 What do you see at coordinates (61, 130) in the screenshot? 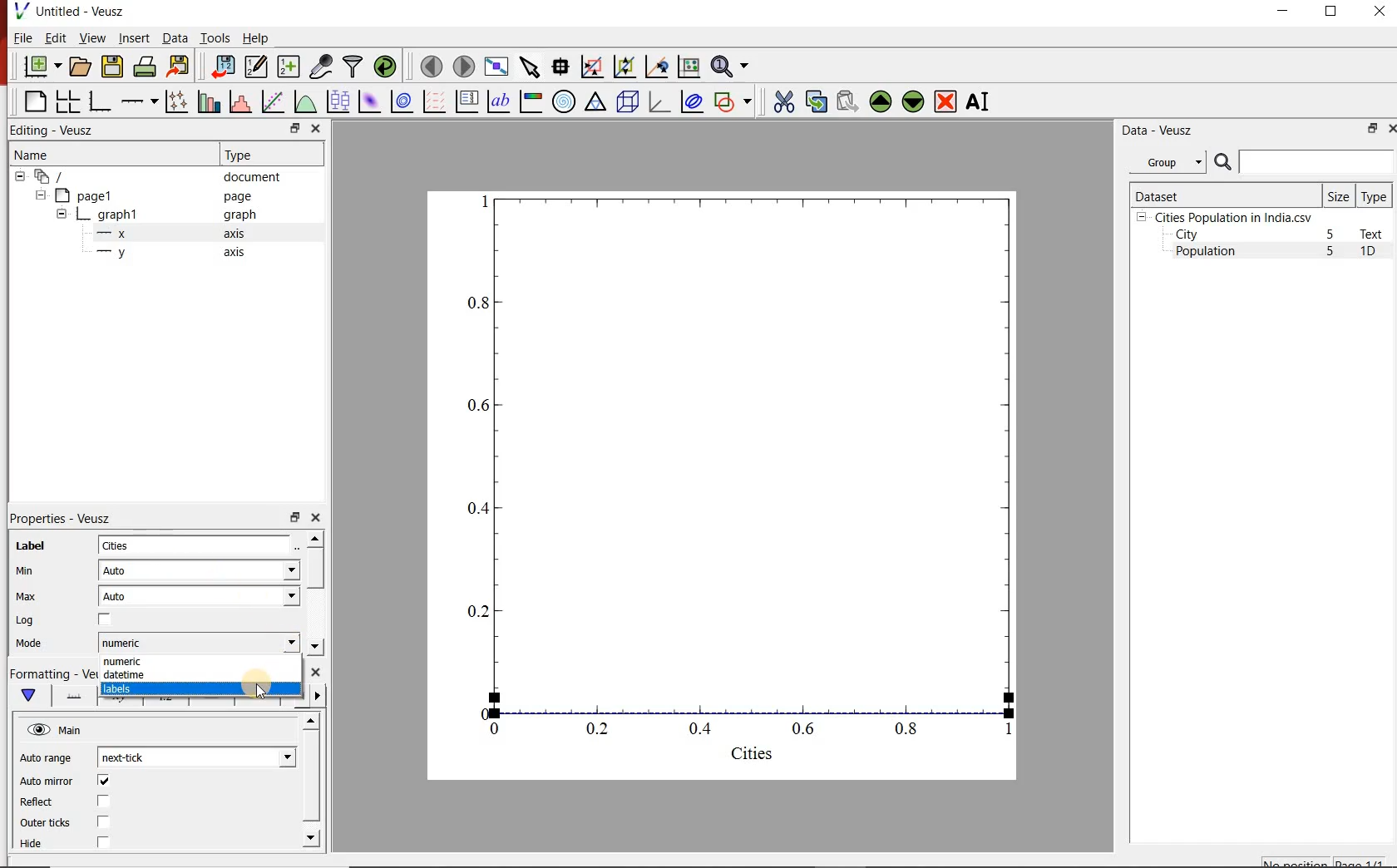
I see `Editing - Veusz` at bounding box center [61, 130].